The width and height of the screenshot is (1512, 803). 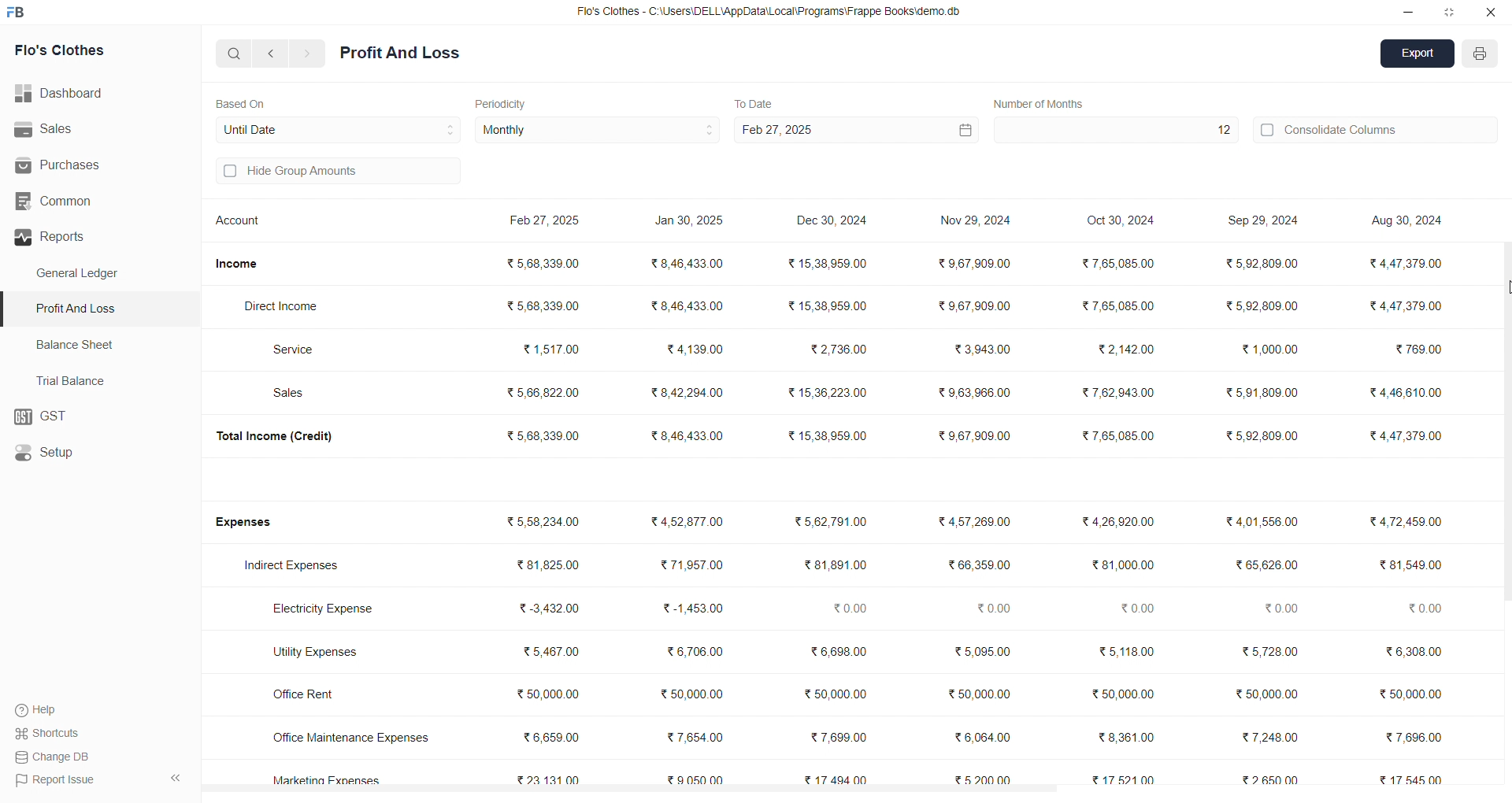 I want to click on ₹65,626.00, so click(x=1266, y=564).